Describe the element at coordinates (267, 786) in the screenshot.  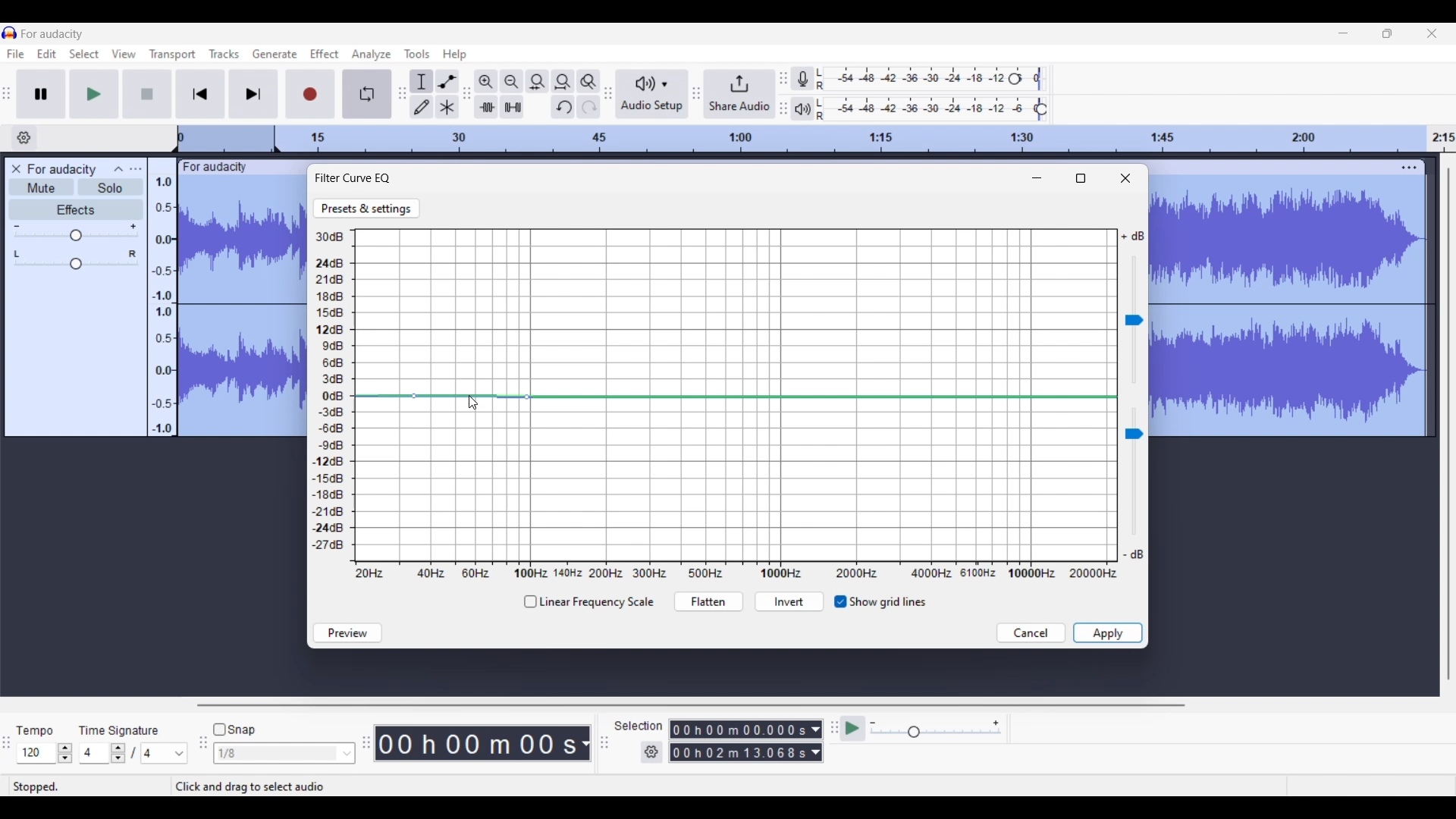
I see `Description of current selection` at that location.